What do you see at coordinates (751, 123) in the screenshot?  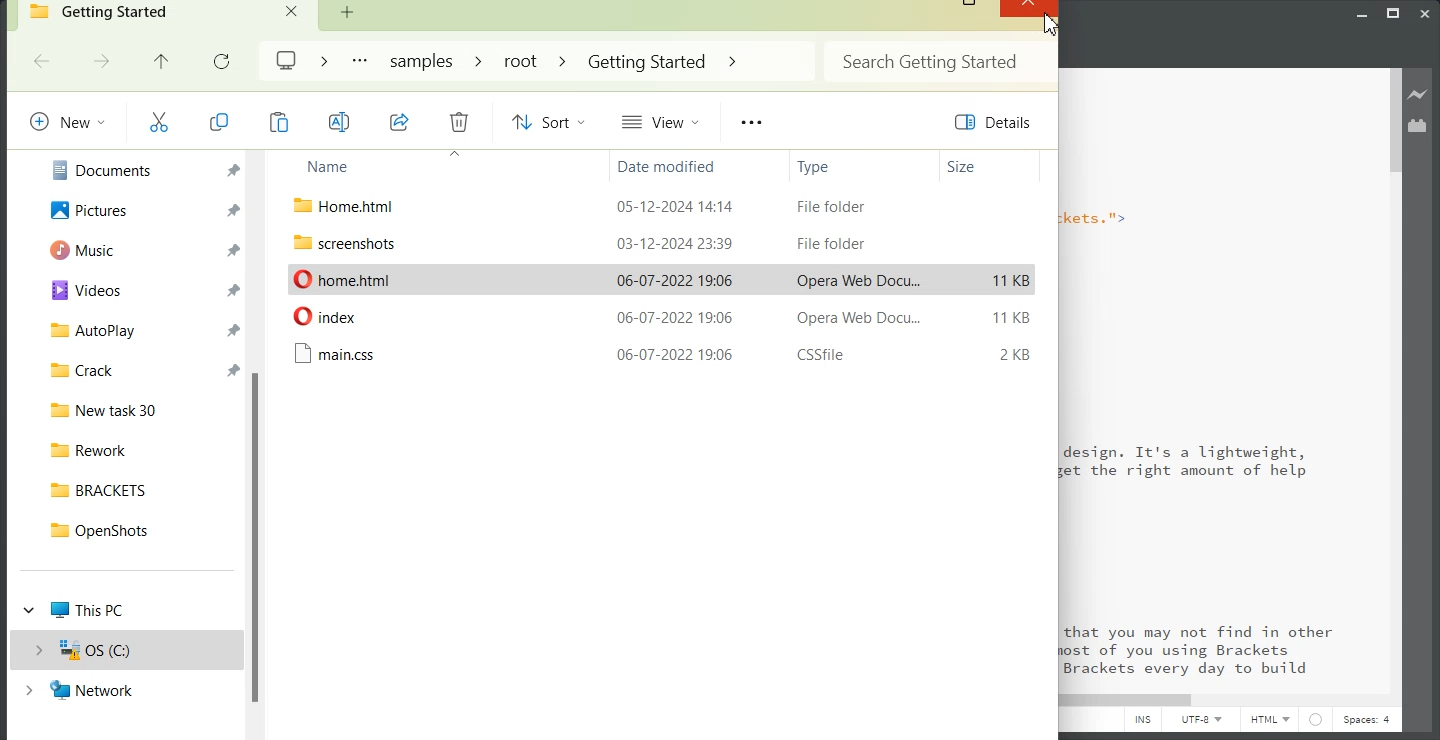 I see `More` at bounding box center [751, 123].